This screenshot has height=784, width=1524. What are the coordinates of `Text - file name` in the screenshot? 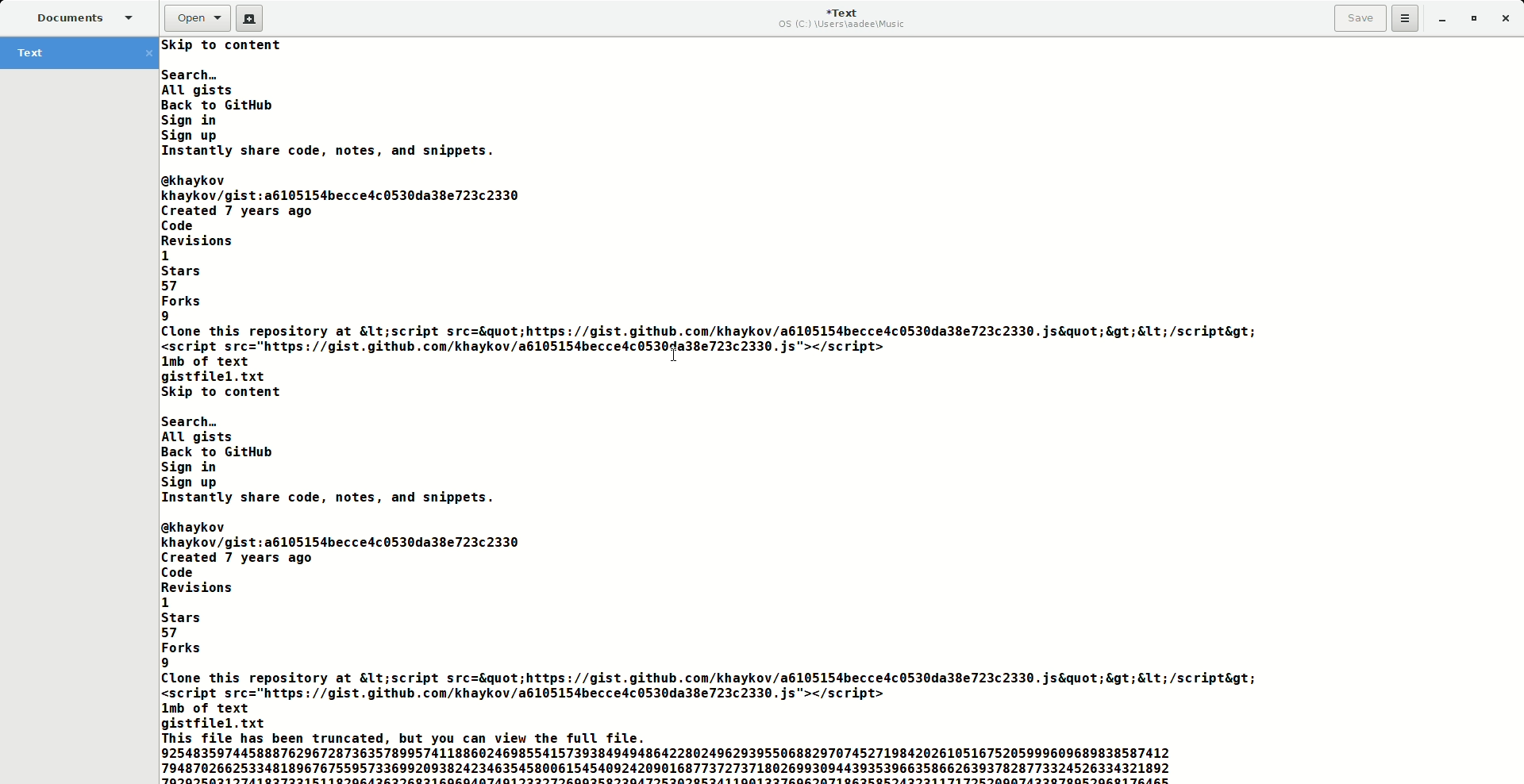 It's located at (80, 52).